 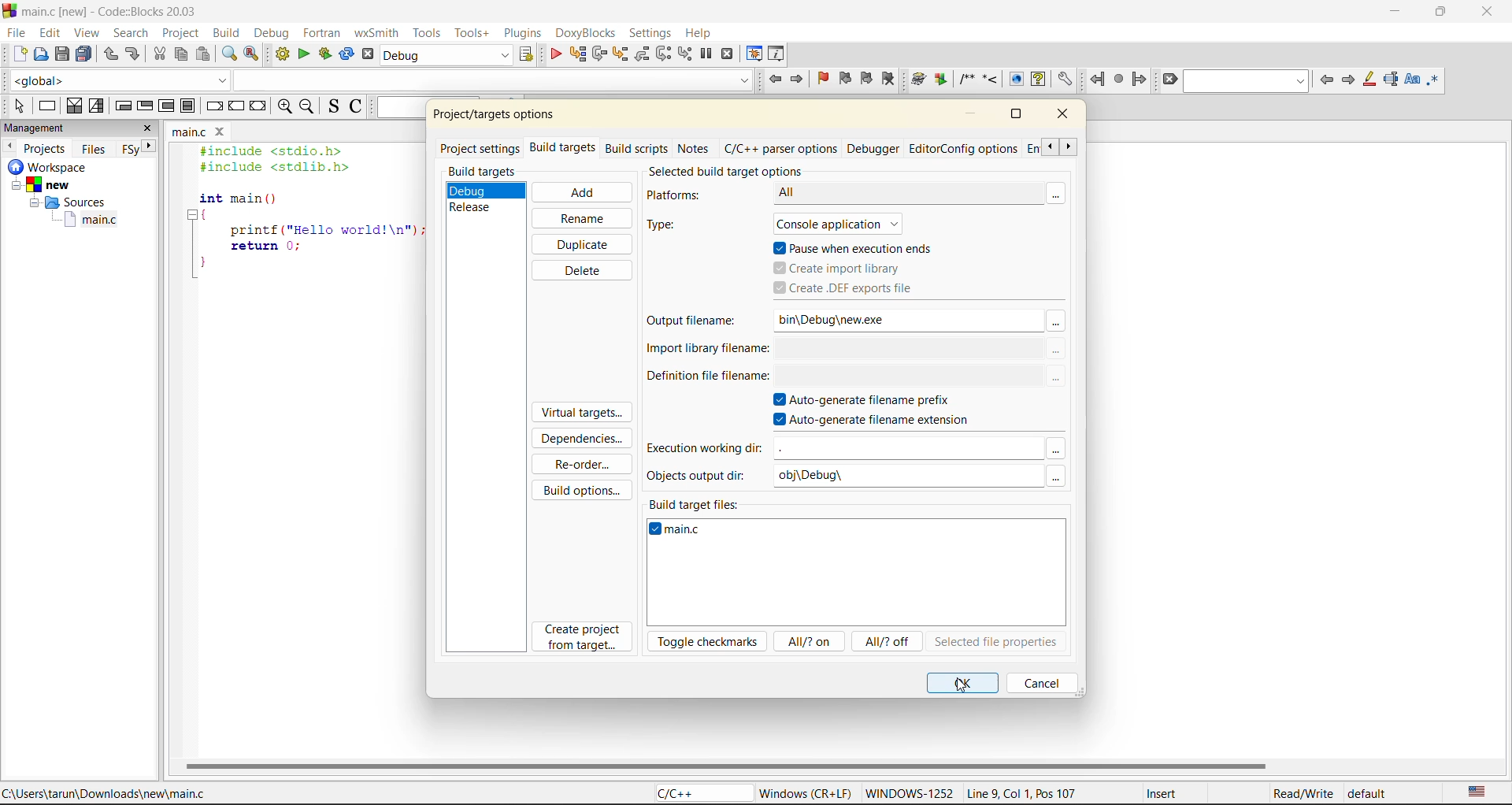 I want to click on cut, so click(x=160, y=54).